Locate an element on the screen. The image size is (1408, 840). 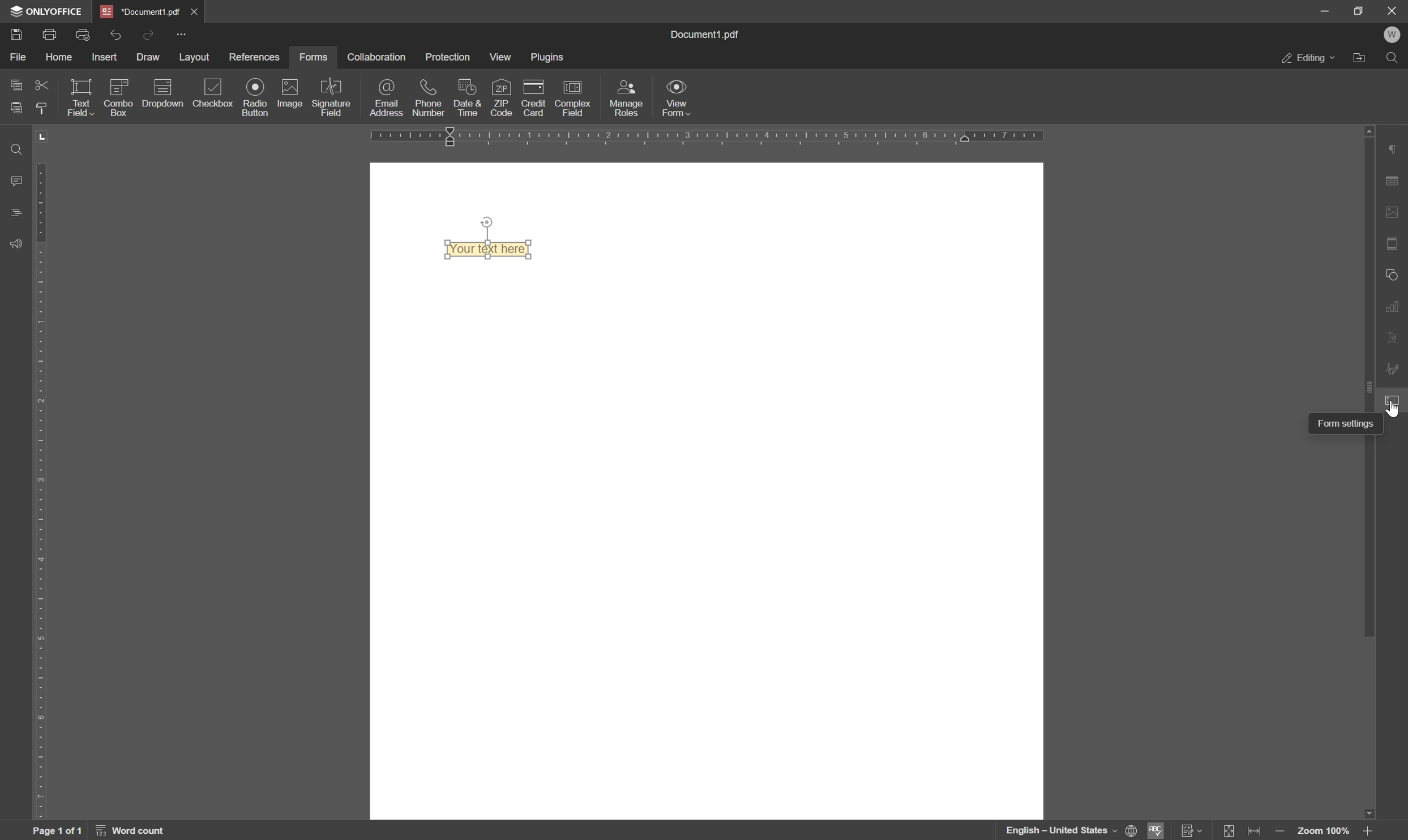
headings is located at coordinates (12, 213).